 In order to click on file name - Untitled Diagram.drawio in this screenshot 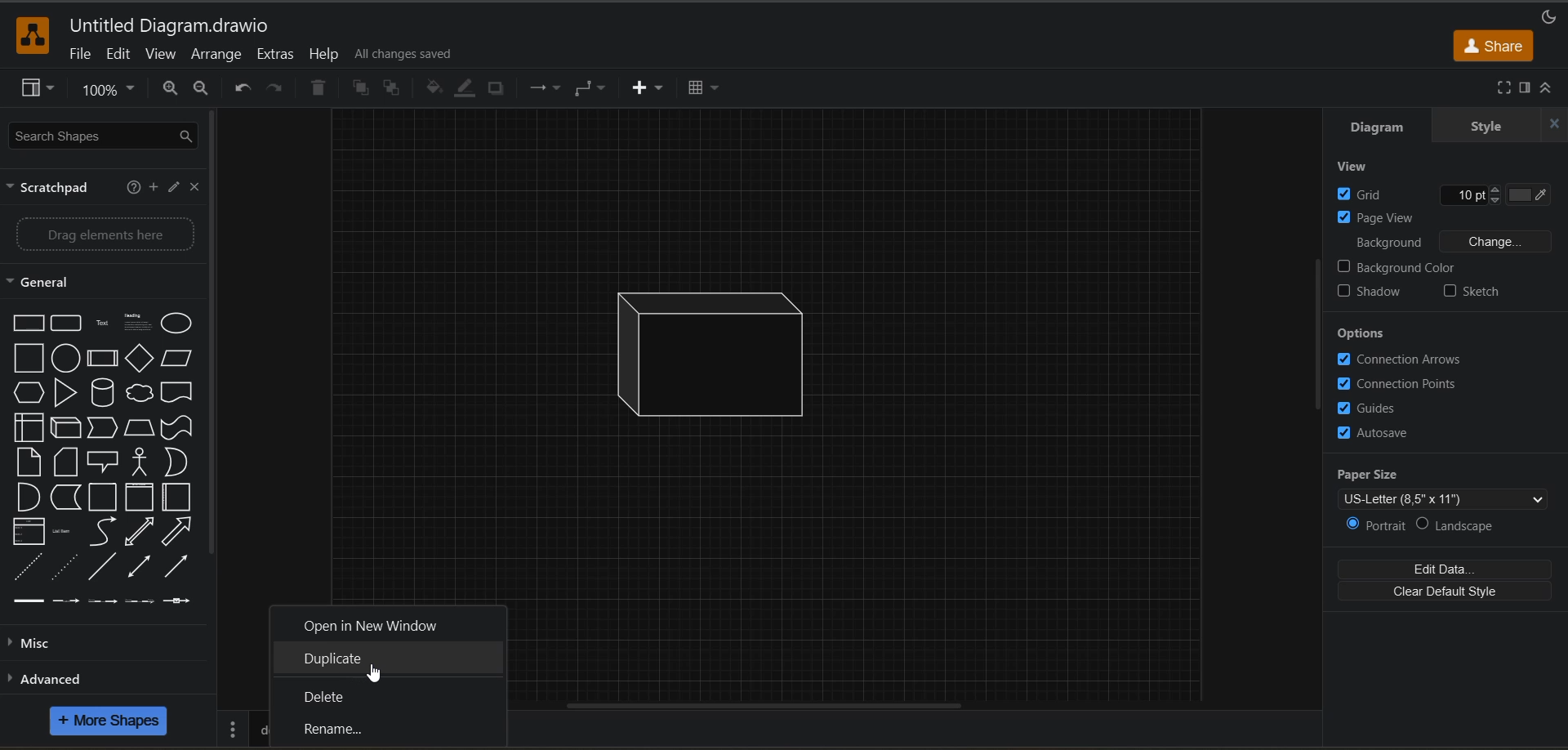, I will do `click(177, 26)`.